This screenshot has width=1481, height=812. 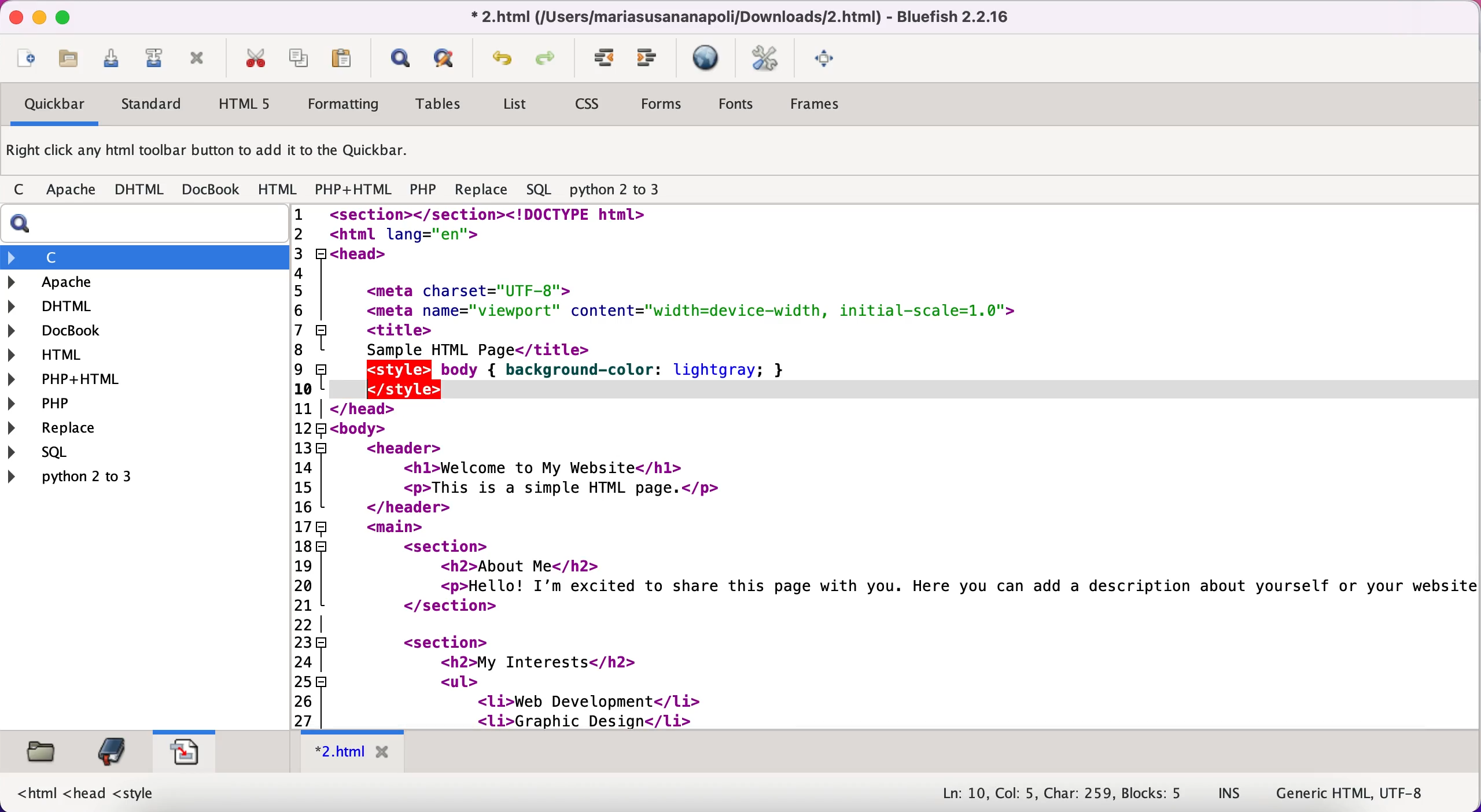 What do you see at coordinates (116, 62) in the screenshot?
I see `save current file` at bounding box center [116, 62].